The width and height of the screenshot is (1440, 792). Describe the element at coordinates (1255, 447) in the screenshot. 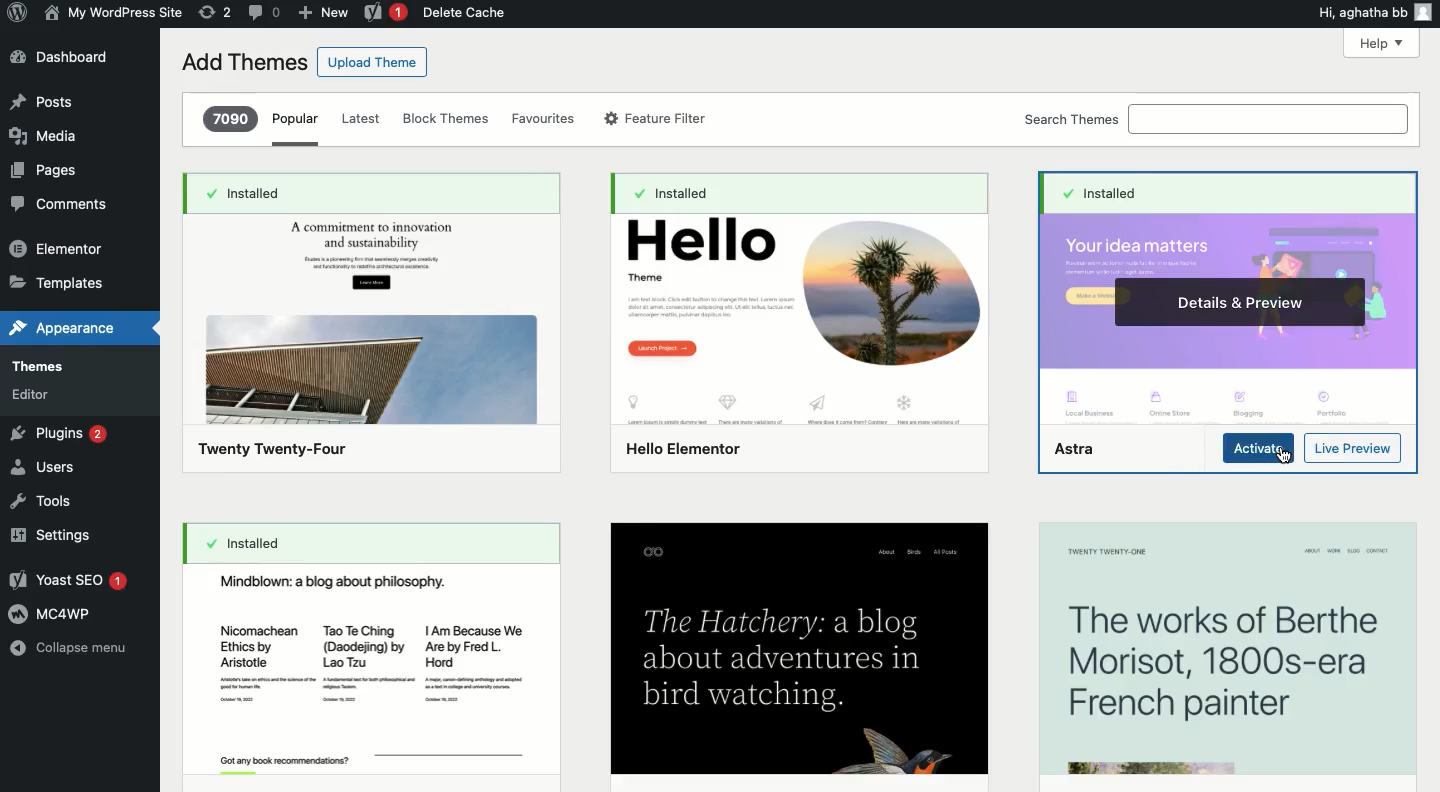

I see `Activate` at that location.